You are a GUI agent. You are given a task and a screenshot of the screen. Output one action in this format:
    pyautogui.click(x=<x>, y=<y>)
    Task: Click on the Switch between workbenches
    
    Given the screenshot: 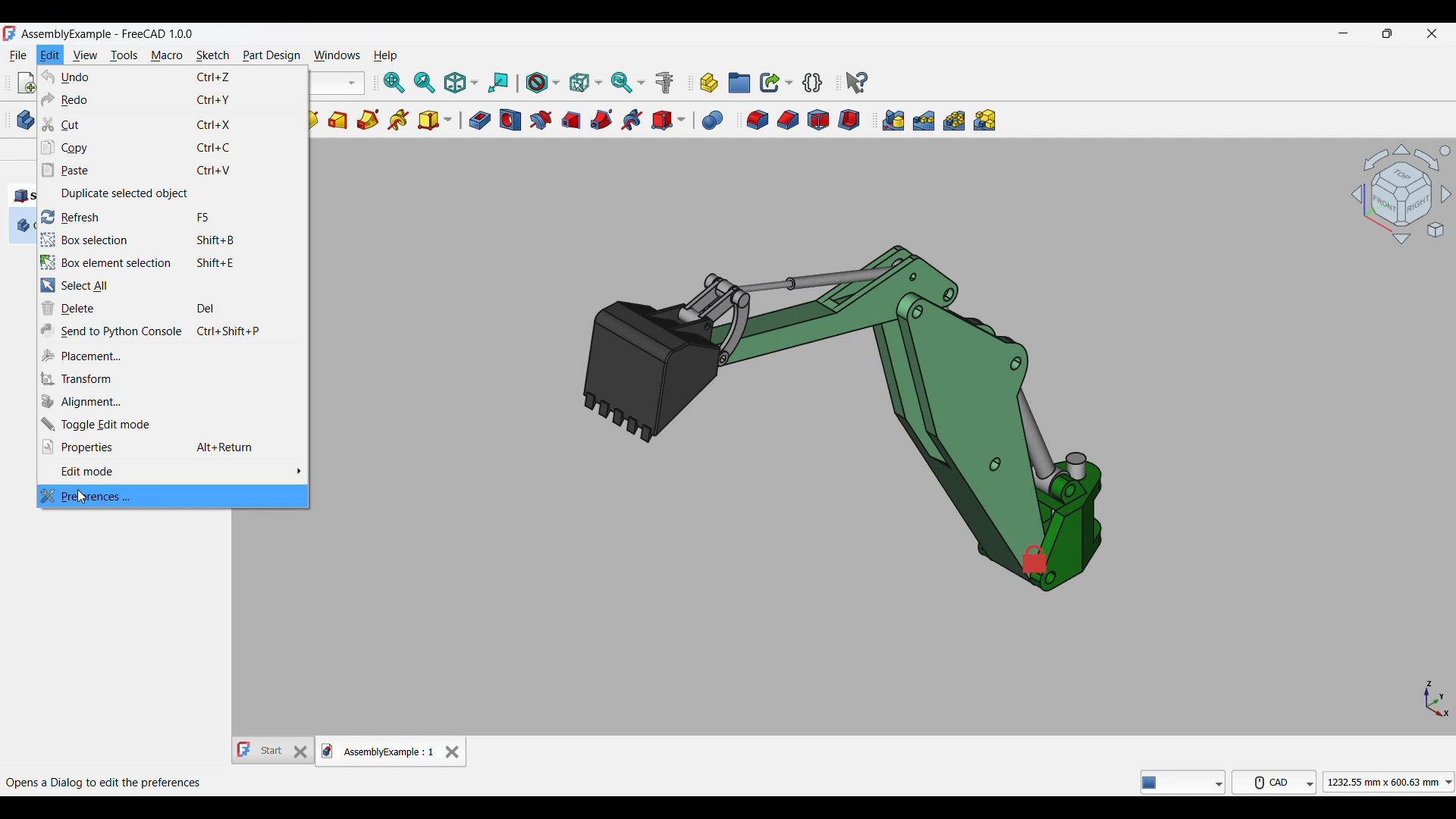 What is the action you would take?
    pyautogui.click(x=338, y=83)
    